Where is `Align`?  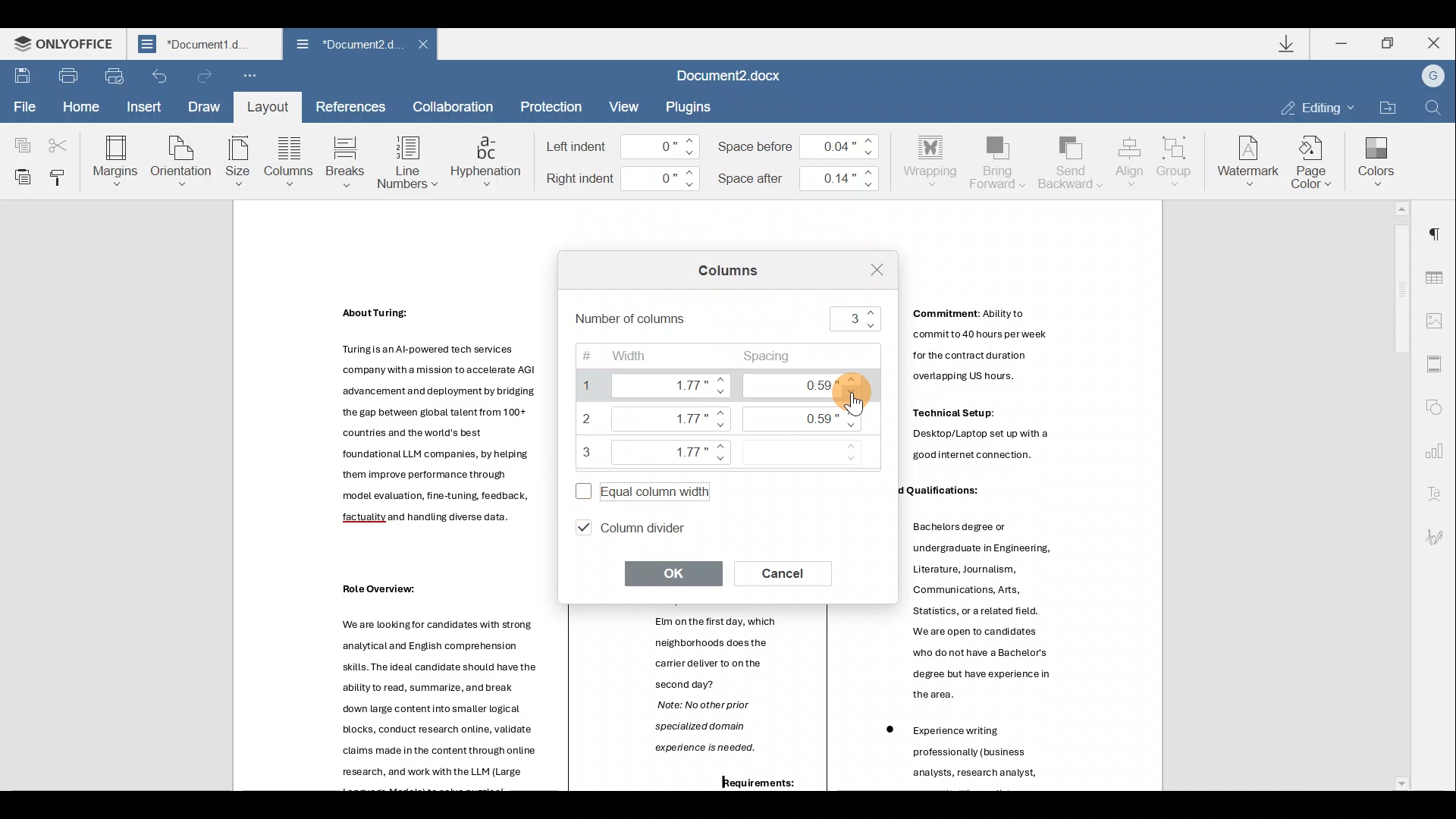 Align is located at coordinates (1130, 160).